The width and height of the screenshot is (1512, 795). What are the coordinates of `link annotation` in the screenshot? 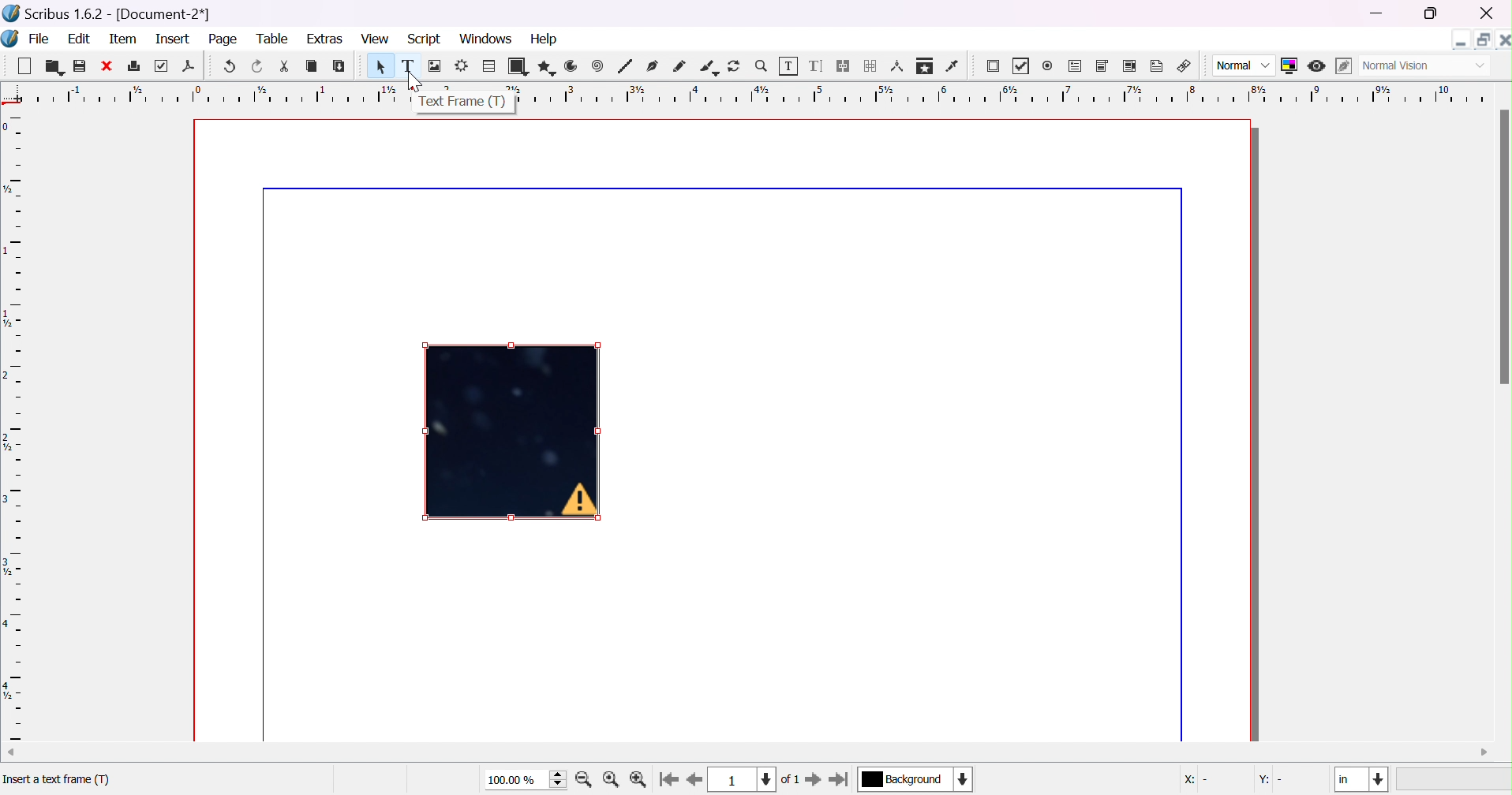 It's located at (1185, 64).